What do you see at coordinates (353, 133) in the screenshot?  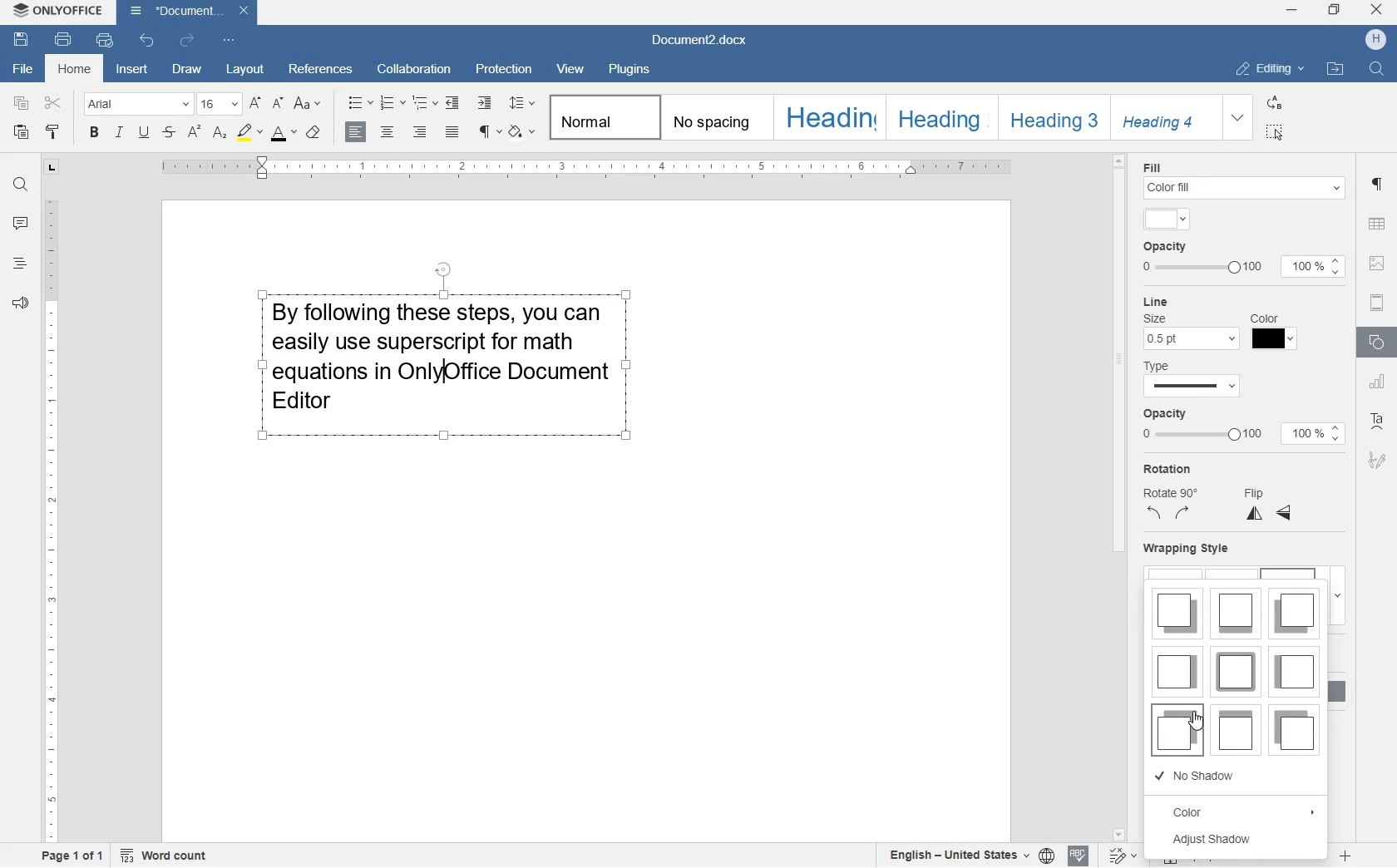 I see `left alignment` at bounding box center [353, 133].